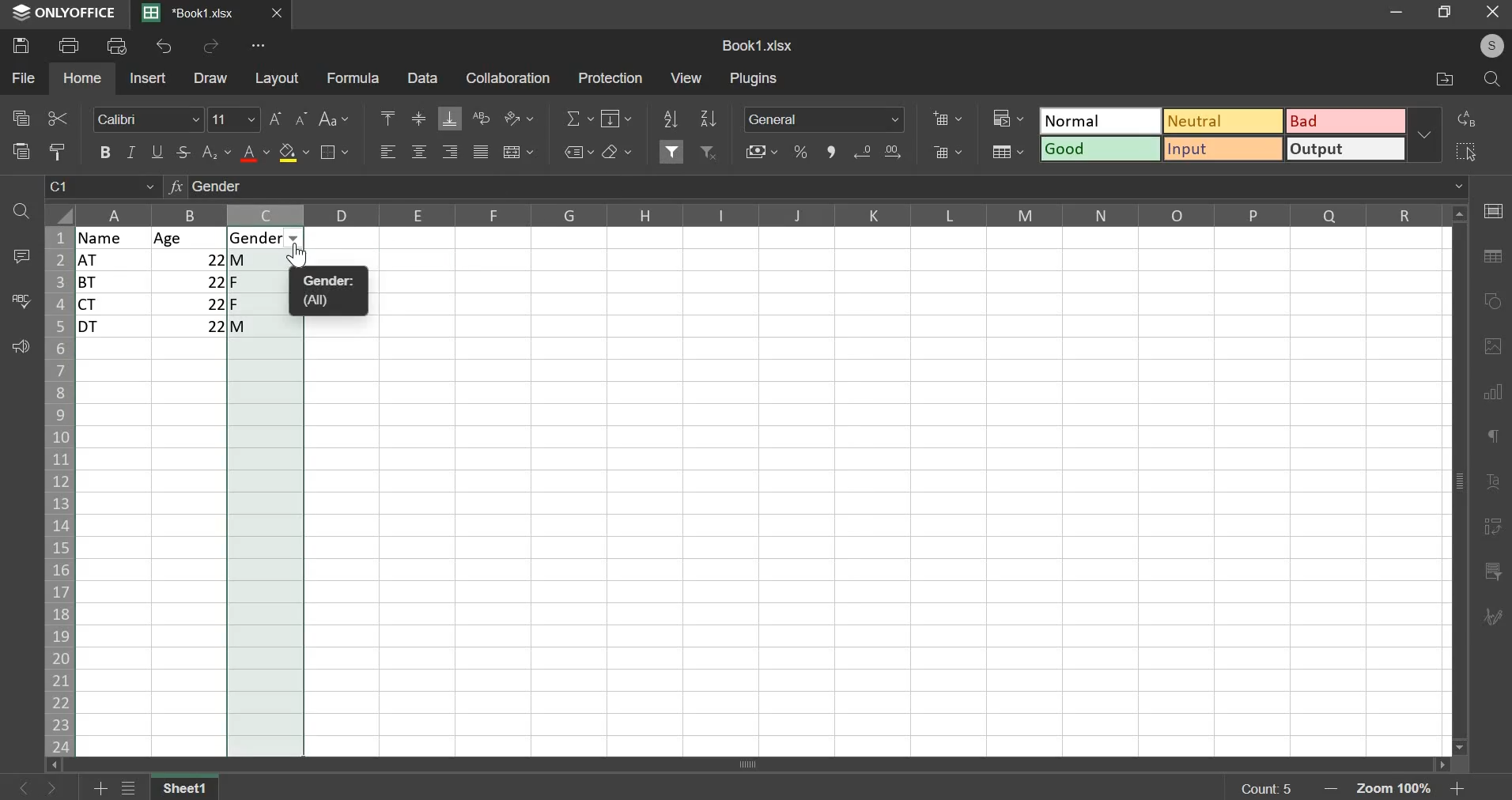  What do you see at coordinates (115, 237) in the screenshot?
I see `name` at bounding box center [115, 237].